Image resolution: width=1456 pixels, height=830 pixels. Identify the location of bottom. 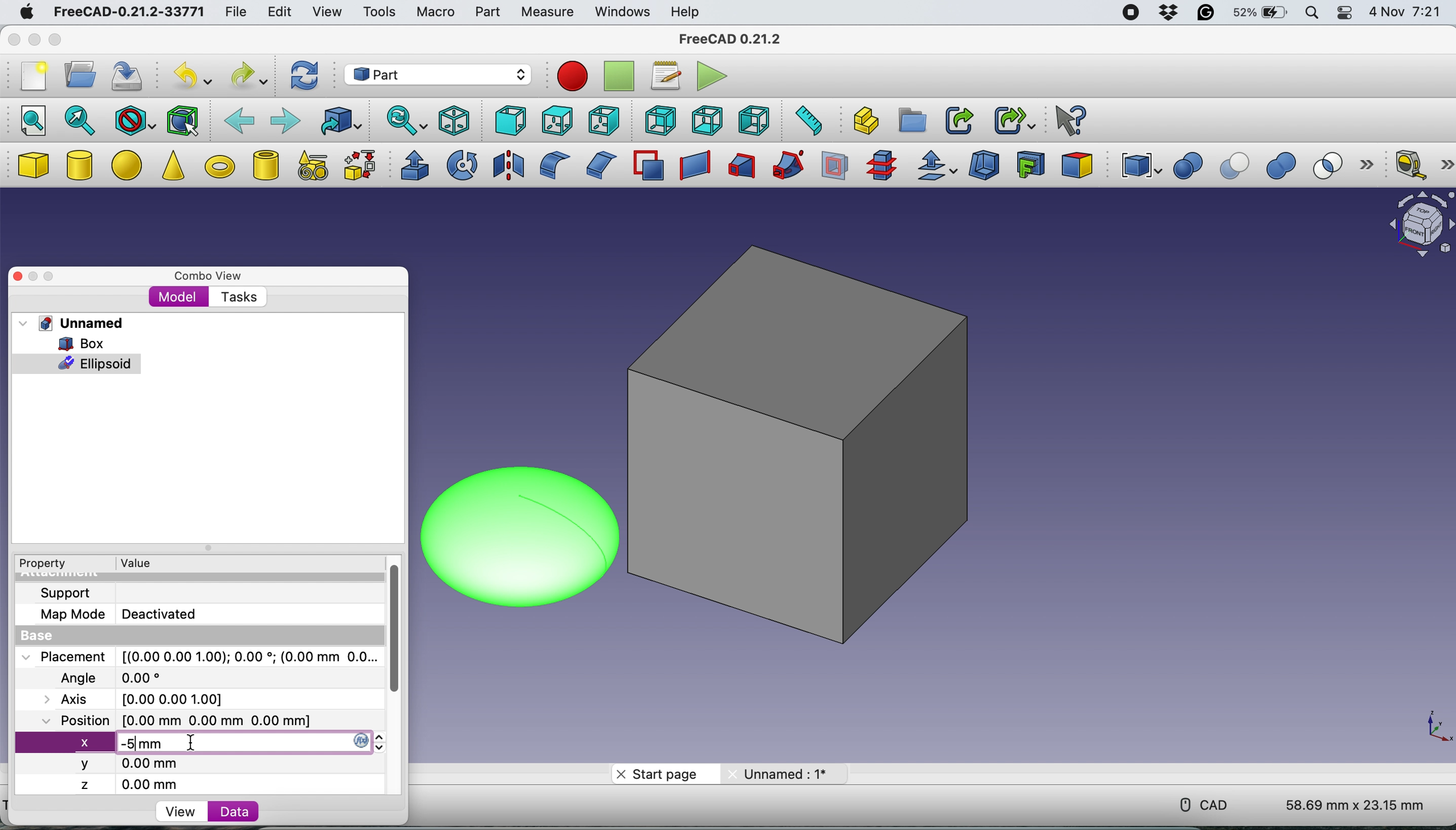
(708, 121).